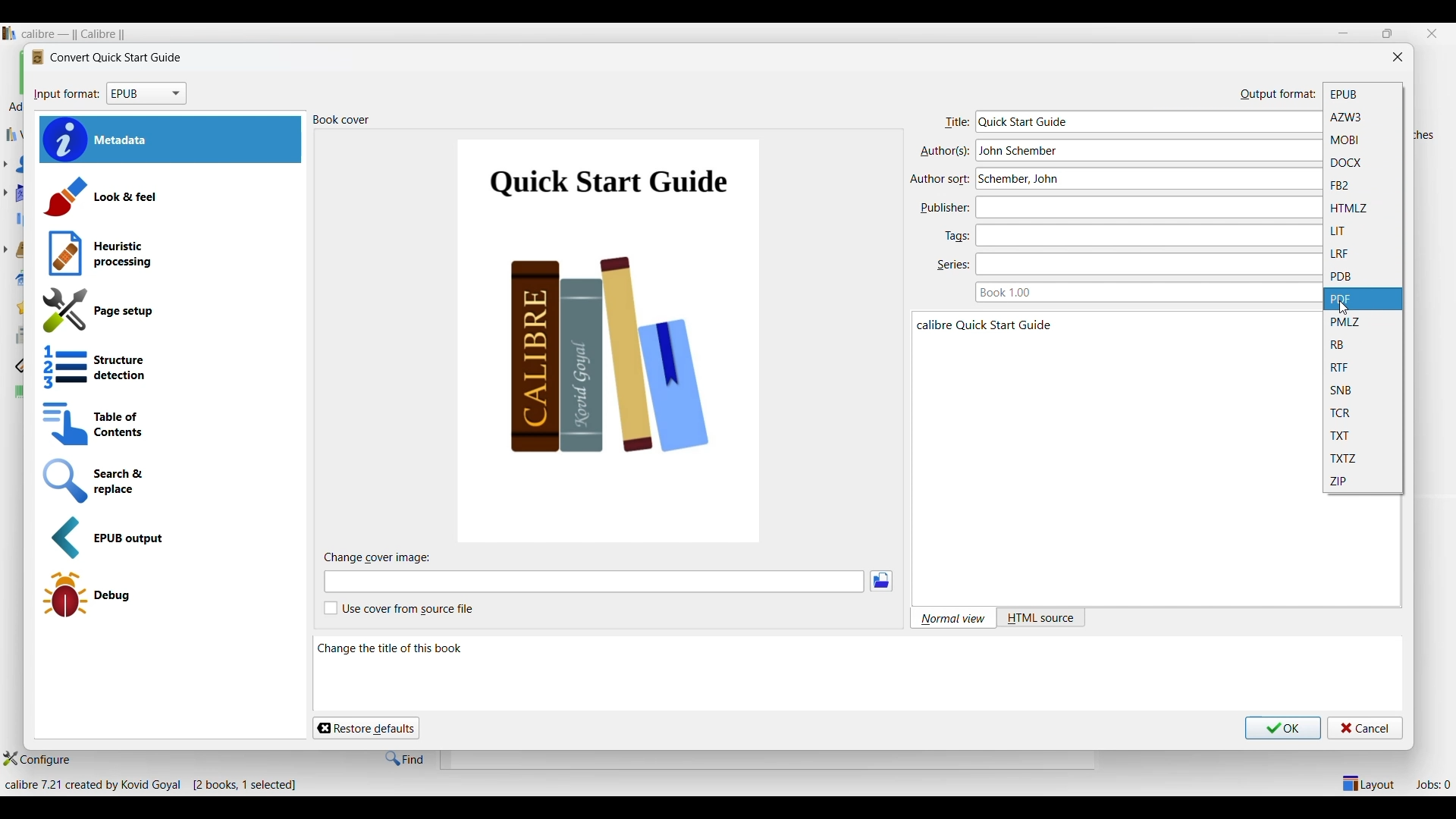  What do you see at coordinates (67, 94) in the screenshot?
I see `input format` at bounding box center [67, 94].